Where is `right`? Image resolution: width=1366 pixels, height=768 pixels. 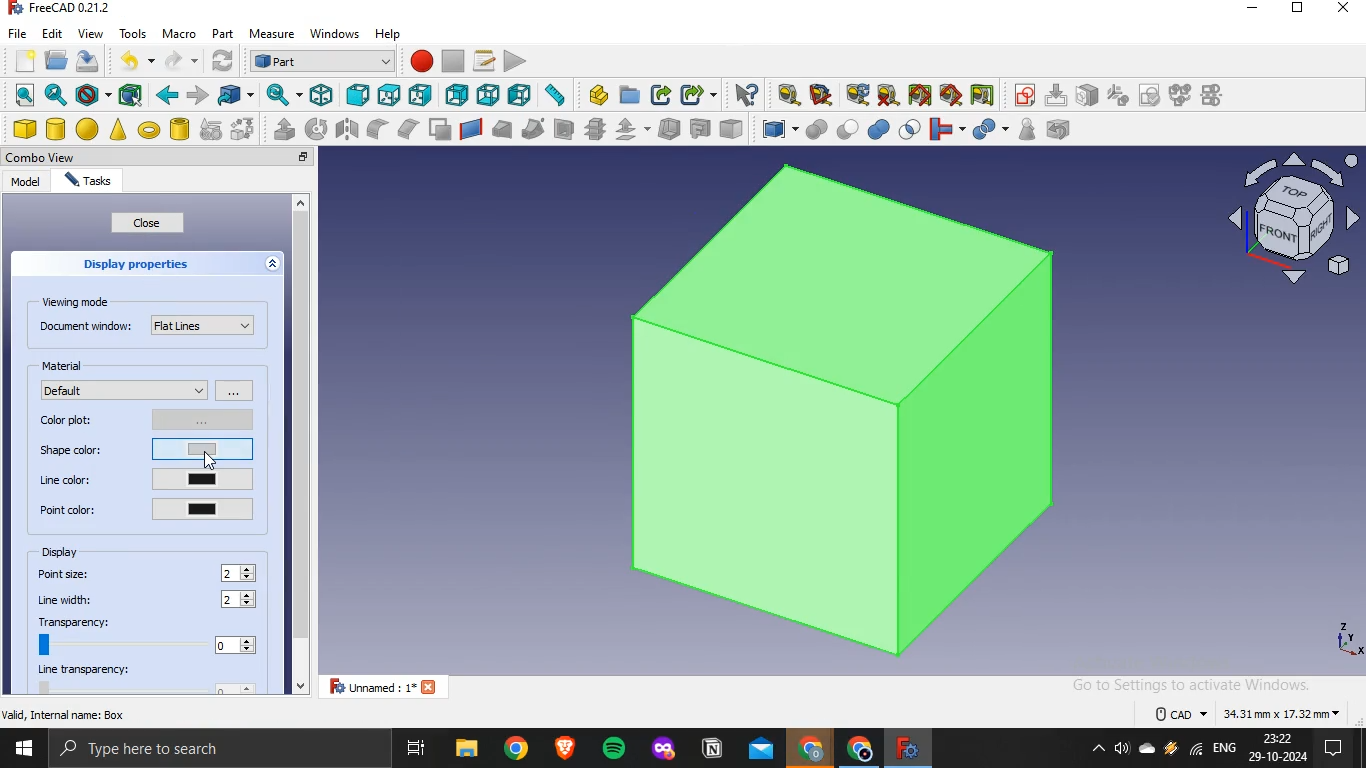 right is located at coordinates (420, 96).